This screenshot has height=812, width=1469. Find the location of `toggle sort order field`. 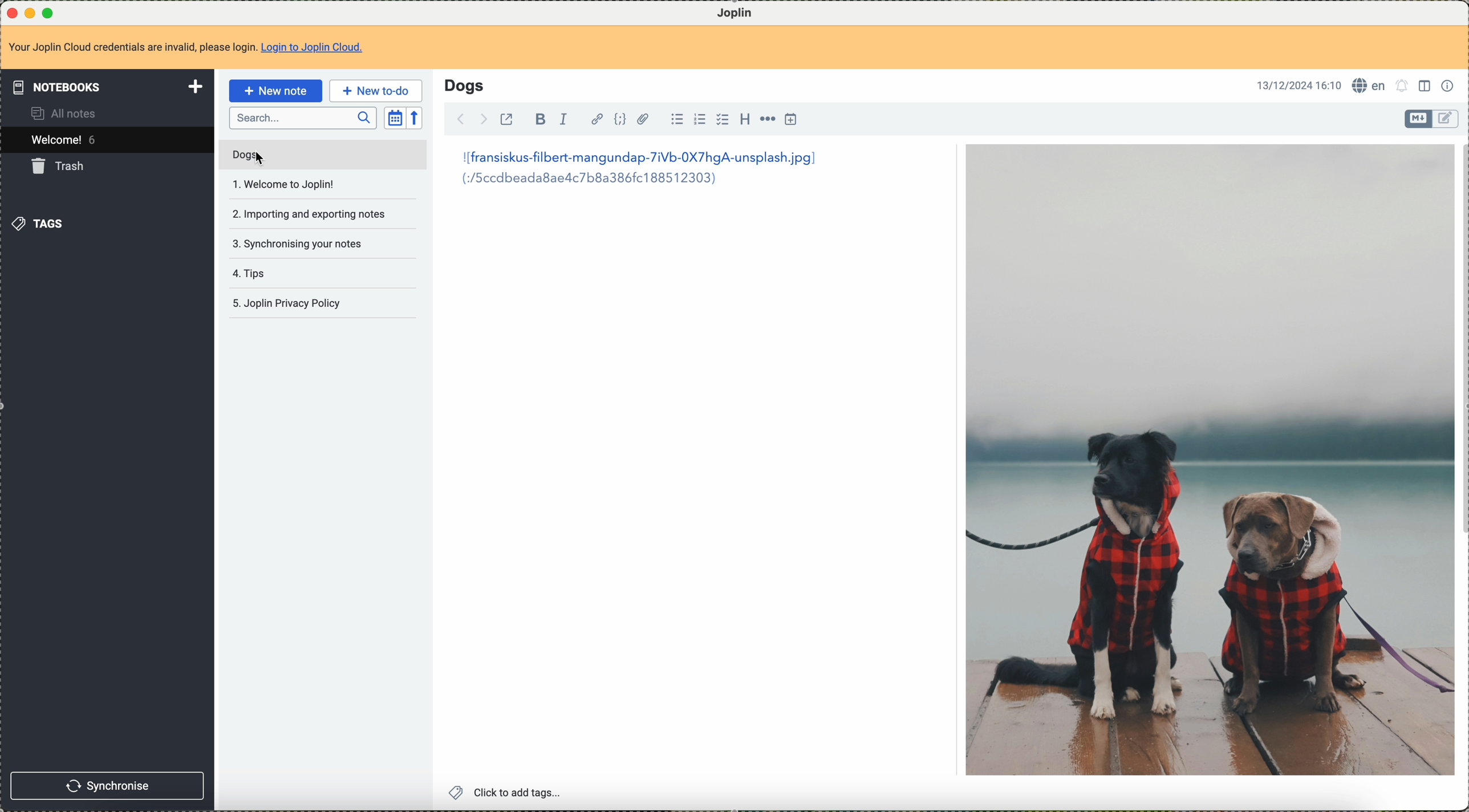

toggle sort order field is located at coordinates (394, 117).